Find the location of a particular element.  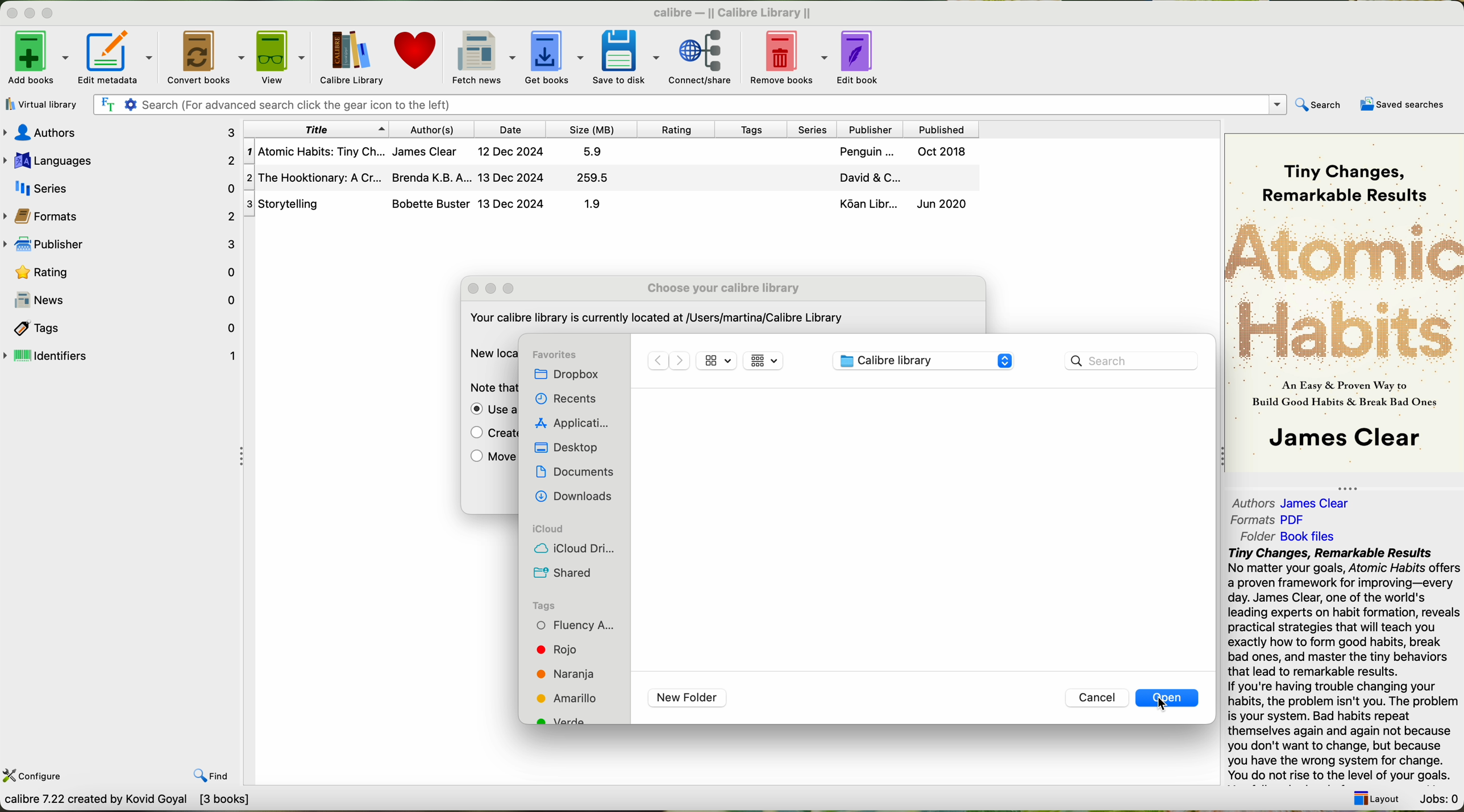

formats  is located at coordinates (1253, 520).